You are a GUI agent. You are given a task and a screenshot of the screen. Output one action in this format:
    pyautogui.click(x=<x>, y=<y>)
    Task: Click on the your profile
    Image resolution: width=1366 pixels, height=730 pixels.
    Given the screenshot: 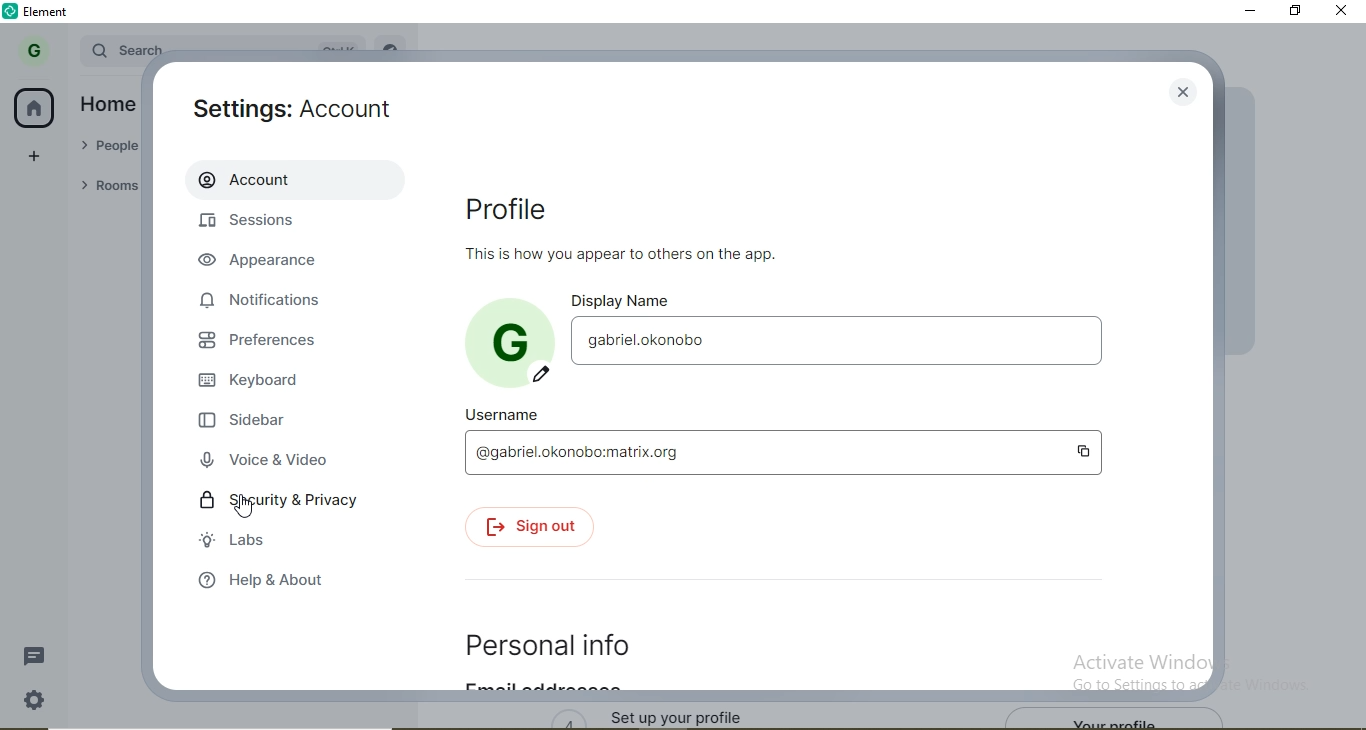 What is the action you would take?
    pyautogui.click(x=1118, y=720)
    